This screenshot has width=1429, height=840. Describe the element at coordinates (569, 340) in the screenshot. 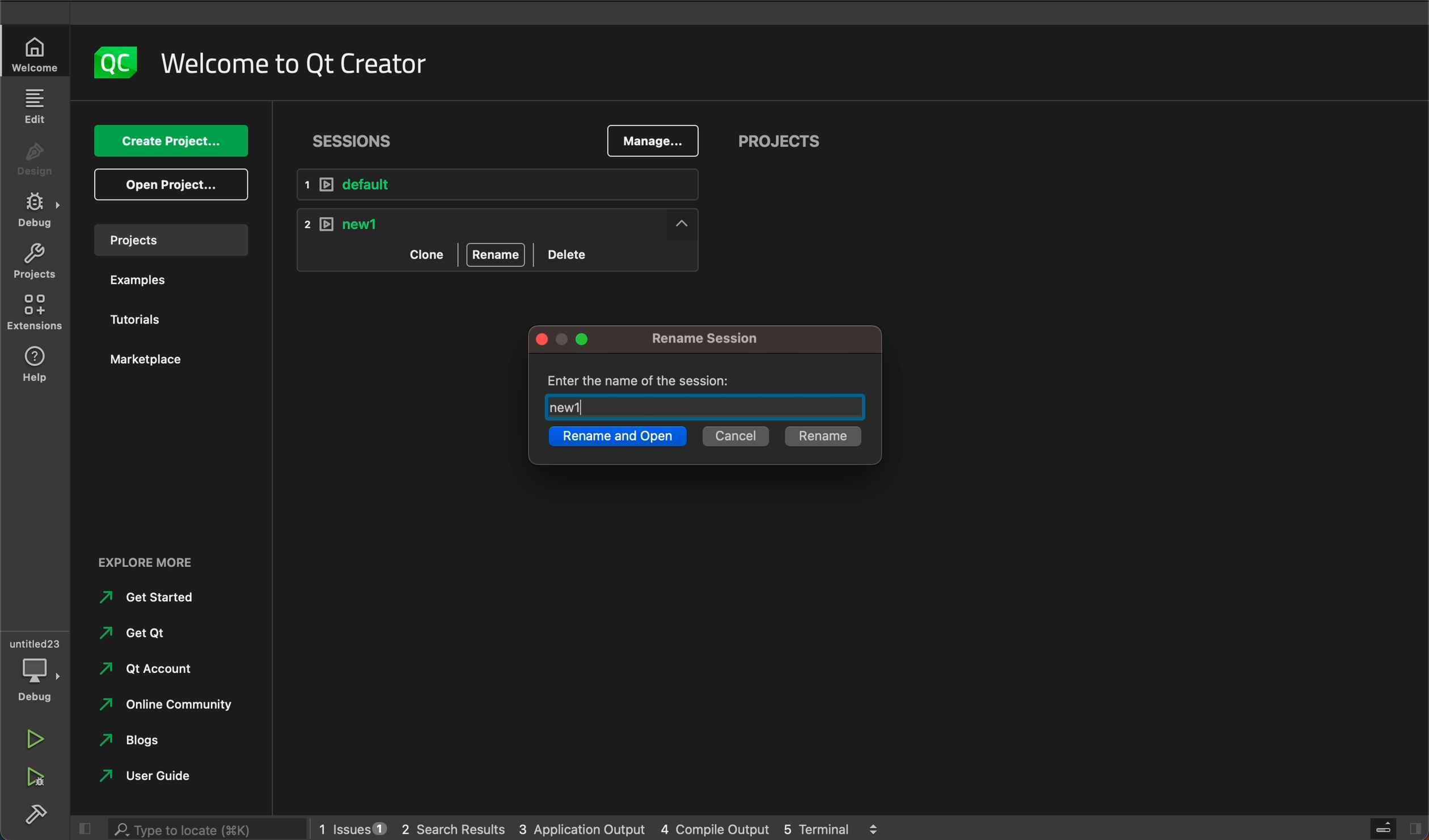

I see `windows control` at that location.